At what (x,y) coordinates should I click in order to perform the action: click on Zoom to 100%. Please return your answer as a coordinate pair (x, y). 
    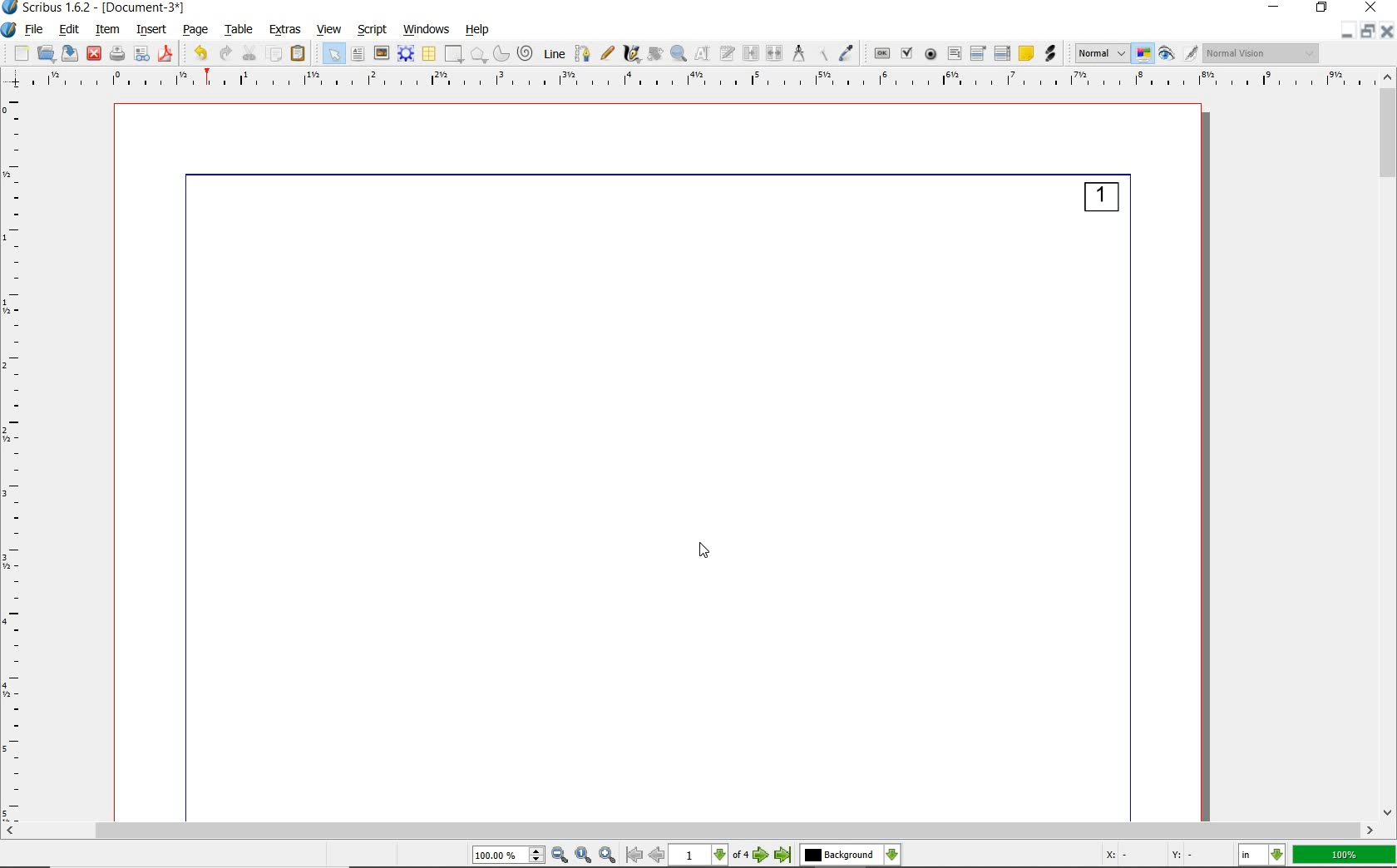
    Looking at the image, I should click on (584, 856).